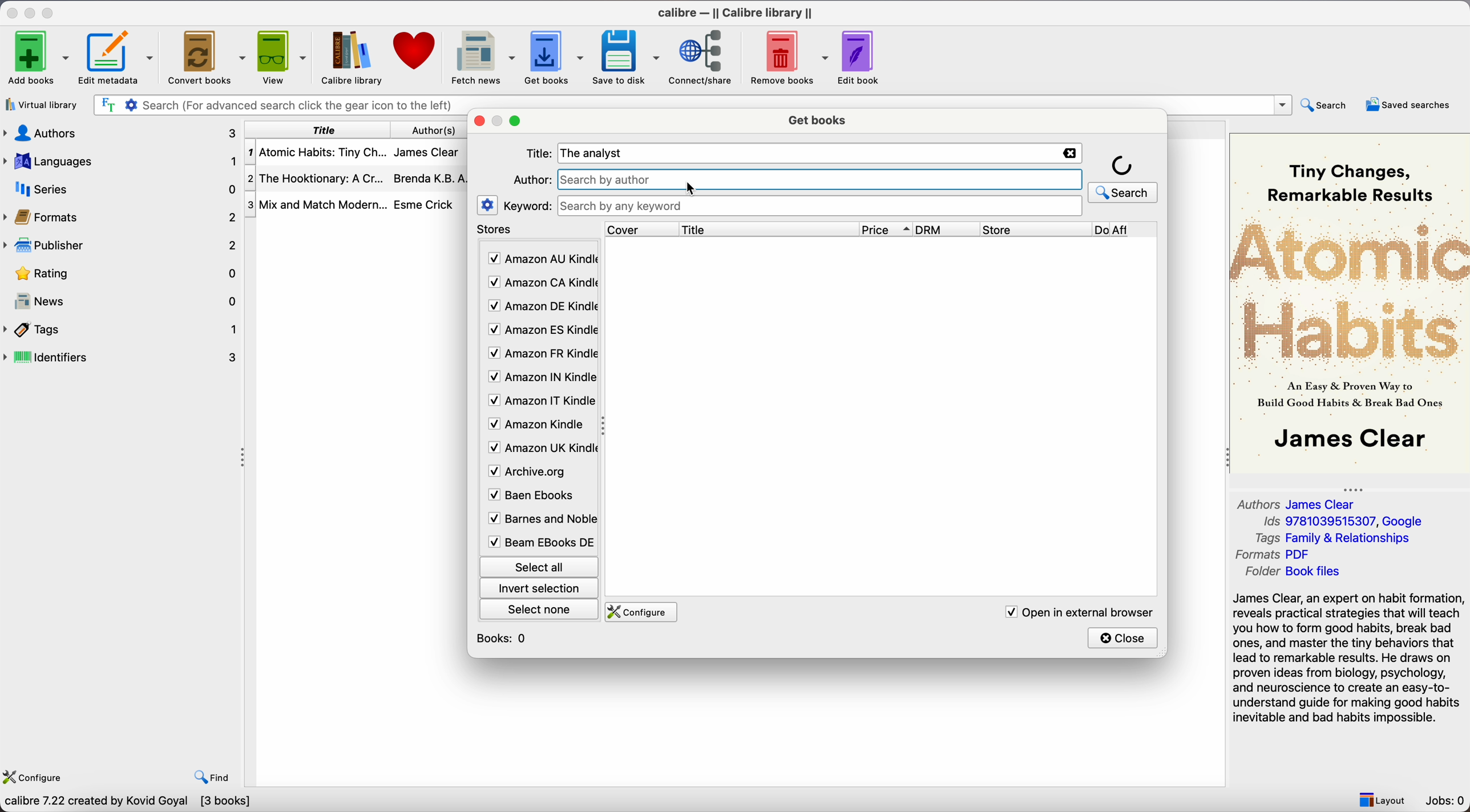 The width and height of the screenshot is (1470, 812). I want to click on Atomic Habits: Tiny Ch..., so click(320, 152).